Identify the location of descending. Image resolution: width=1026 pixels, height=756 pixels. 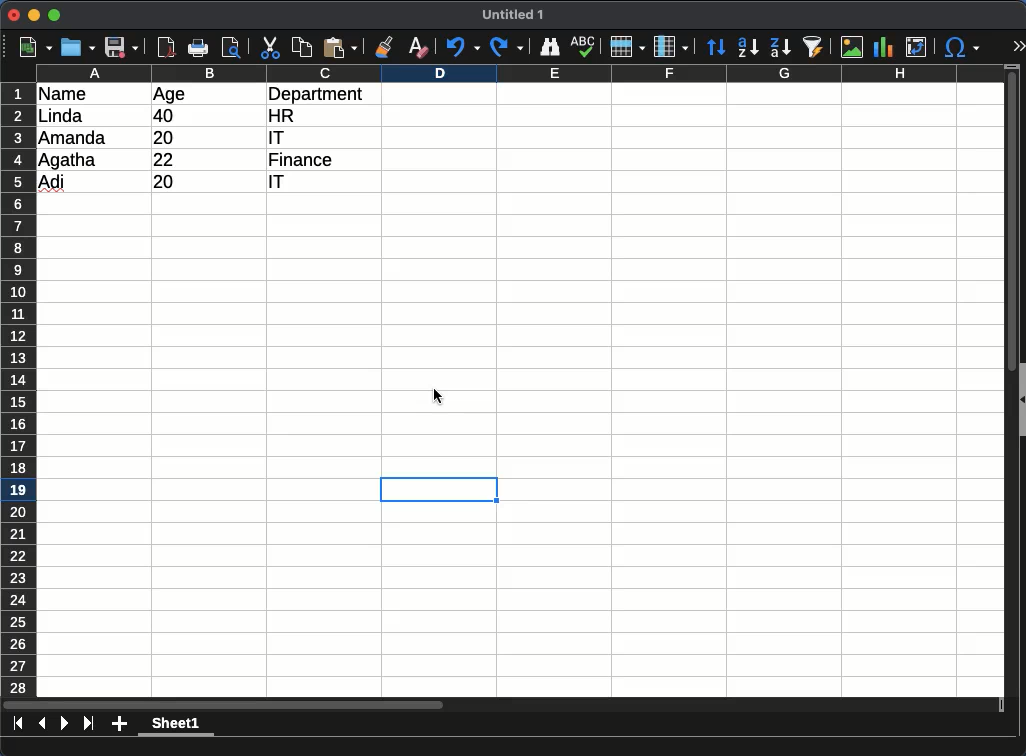
(779, 46).